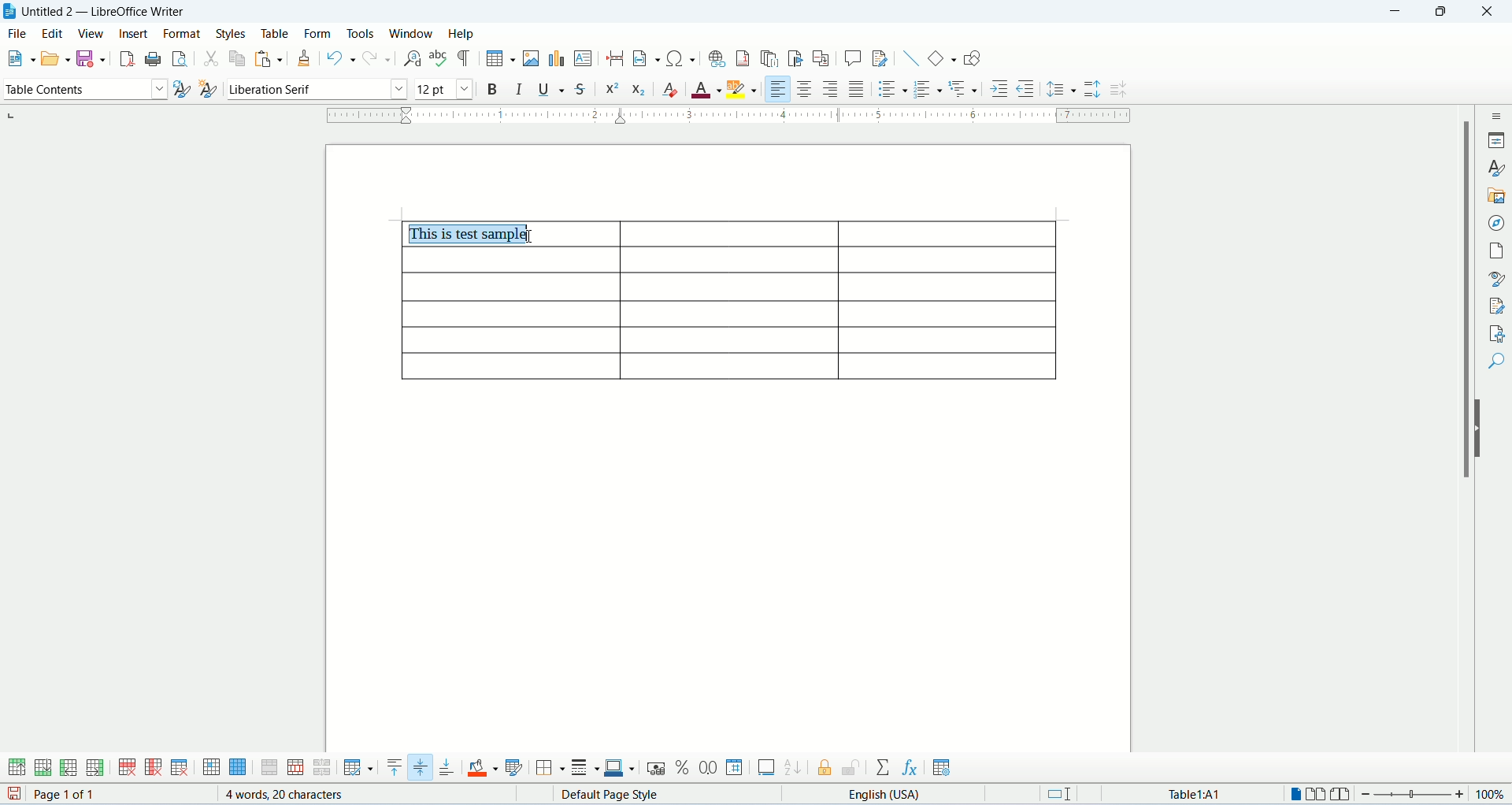  What do you see at coordinates (317, 91) in the screenshot?
I see `font name` at bounding box center [317, 91].